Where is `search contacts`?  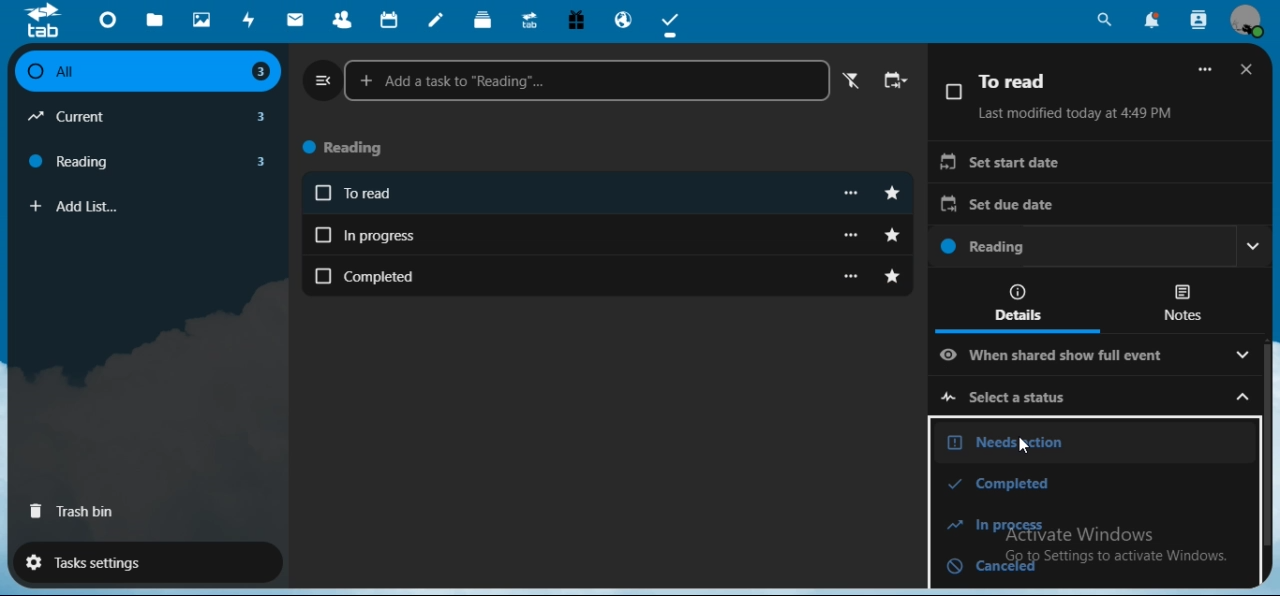 search contacts is located at coordinates (1200, 18).